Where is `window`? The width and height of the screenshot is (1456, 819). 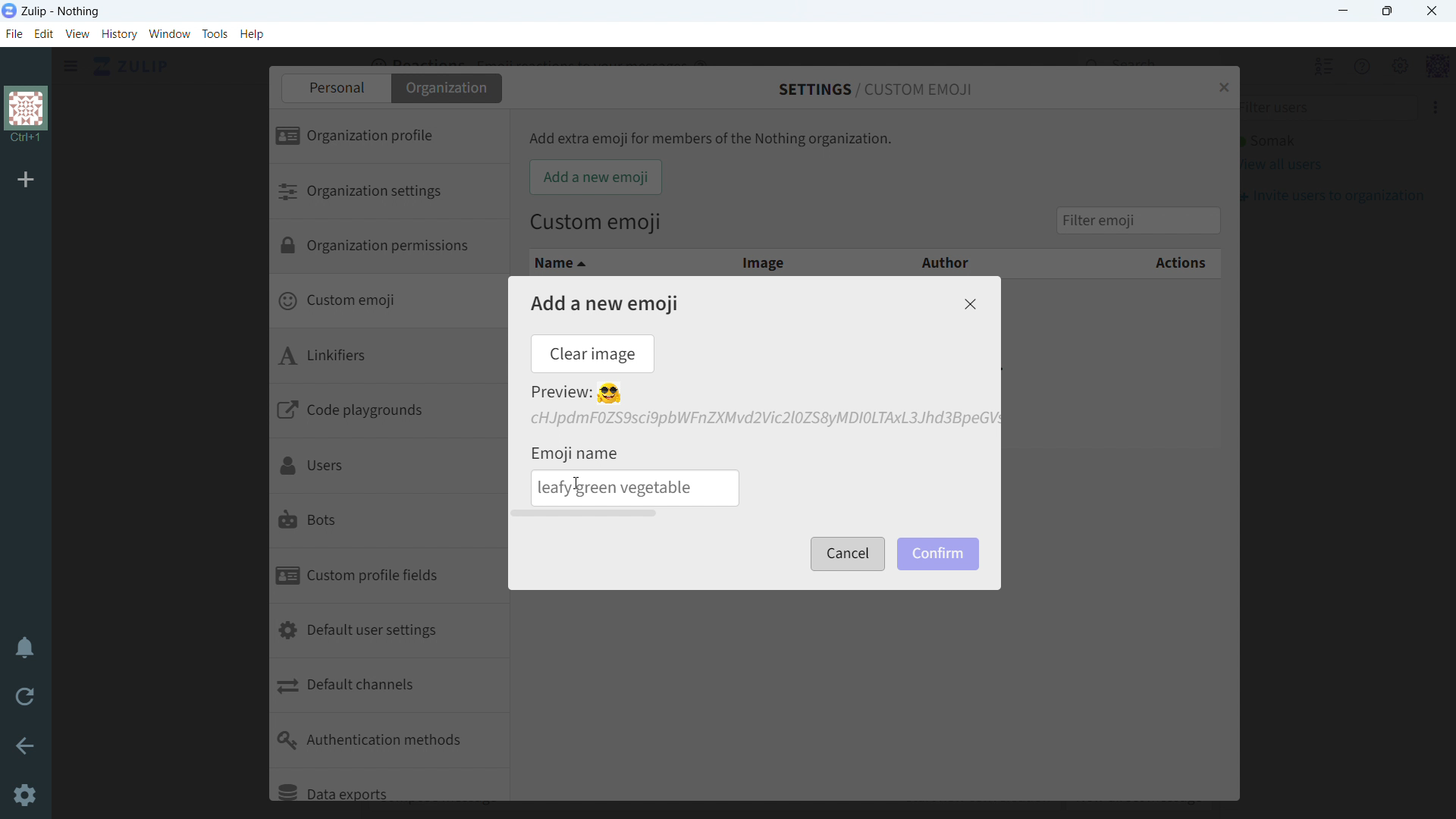
window is located at coordinates (170, 34).